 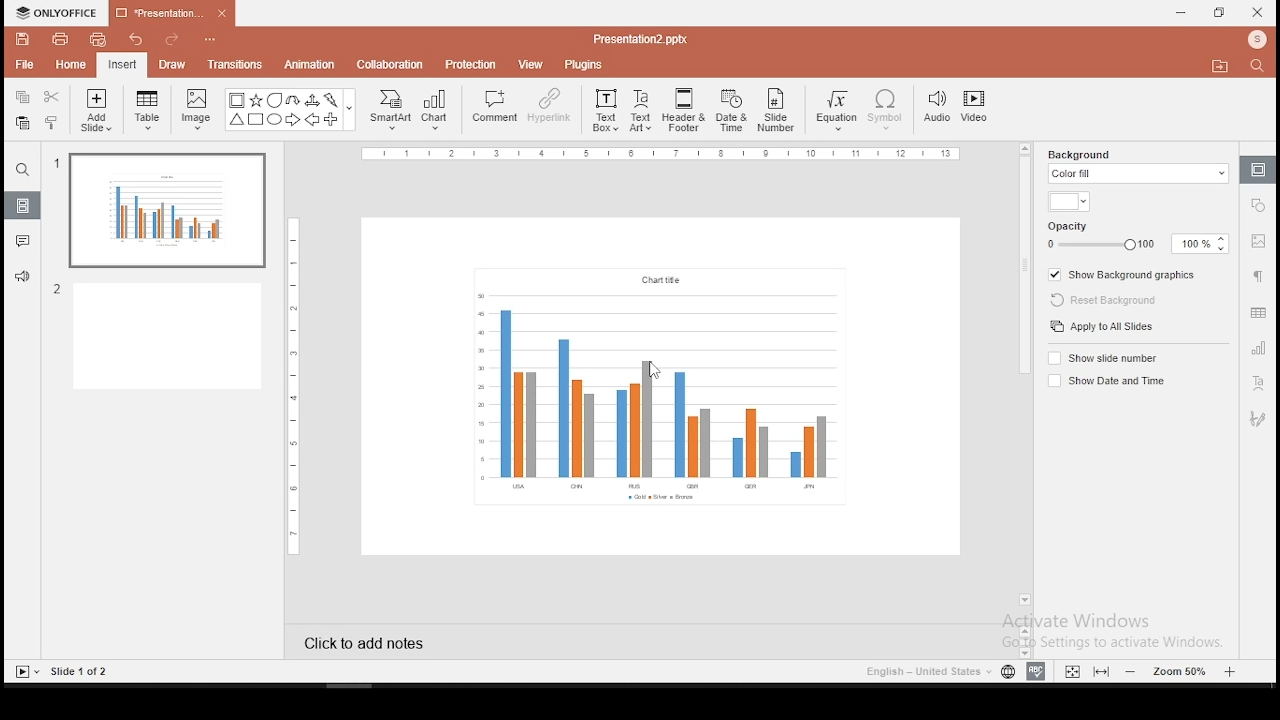 What do you see at coordinates (164, 212) in the screenshot?
I see `slide 1` at bounding box center [164, 212].